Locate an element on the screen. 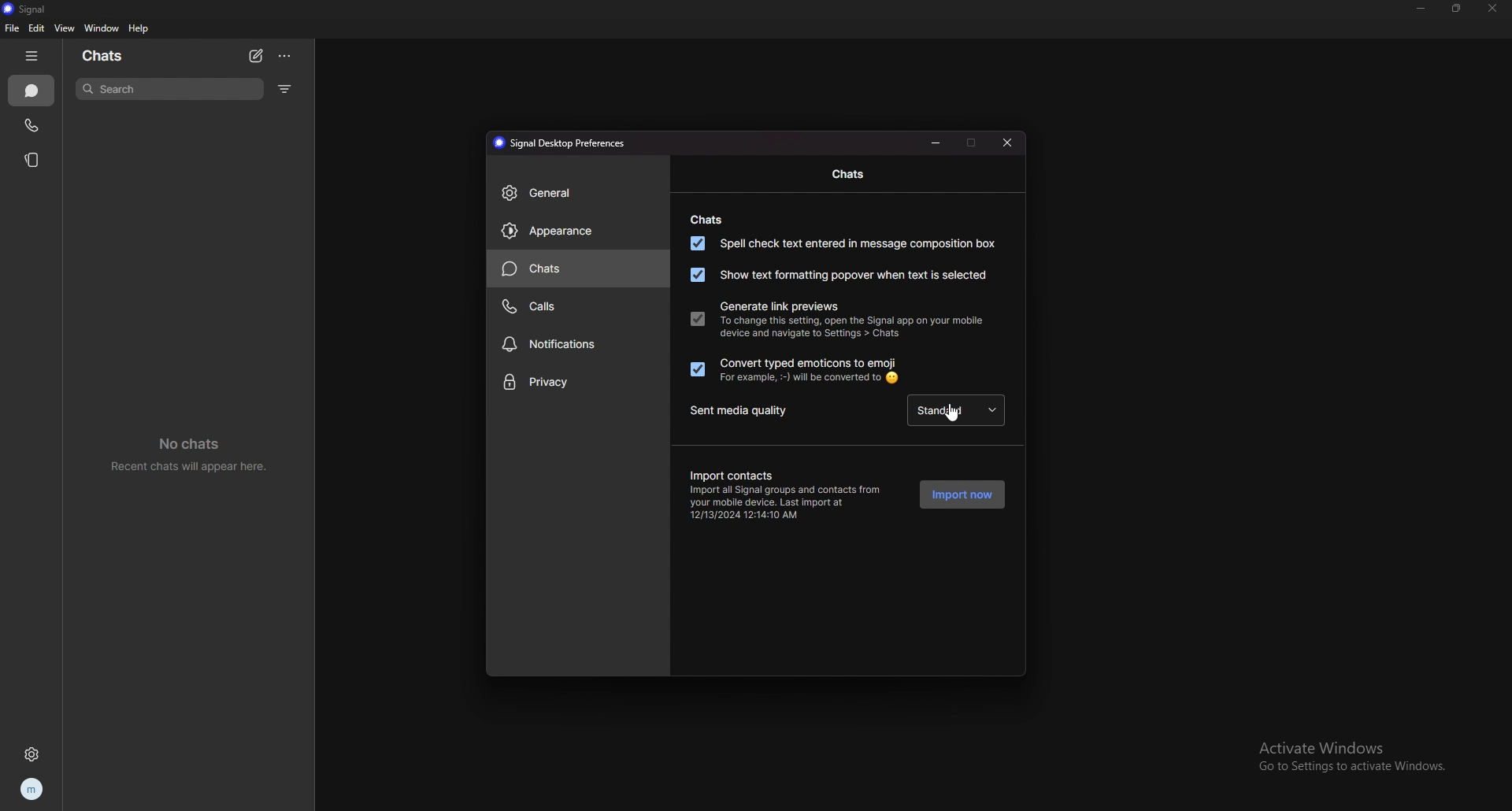 This screenshot has width=1512, height=811. To change this setting, open the Signal app on your mobile
device and navigate to Settings > Chats is located at coordinates (854, 332).